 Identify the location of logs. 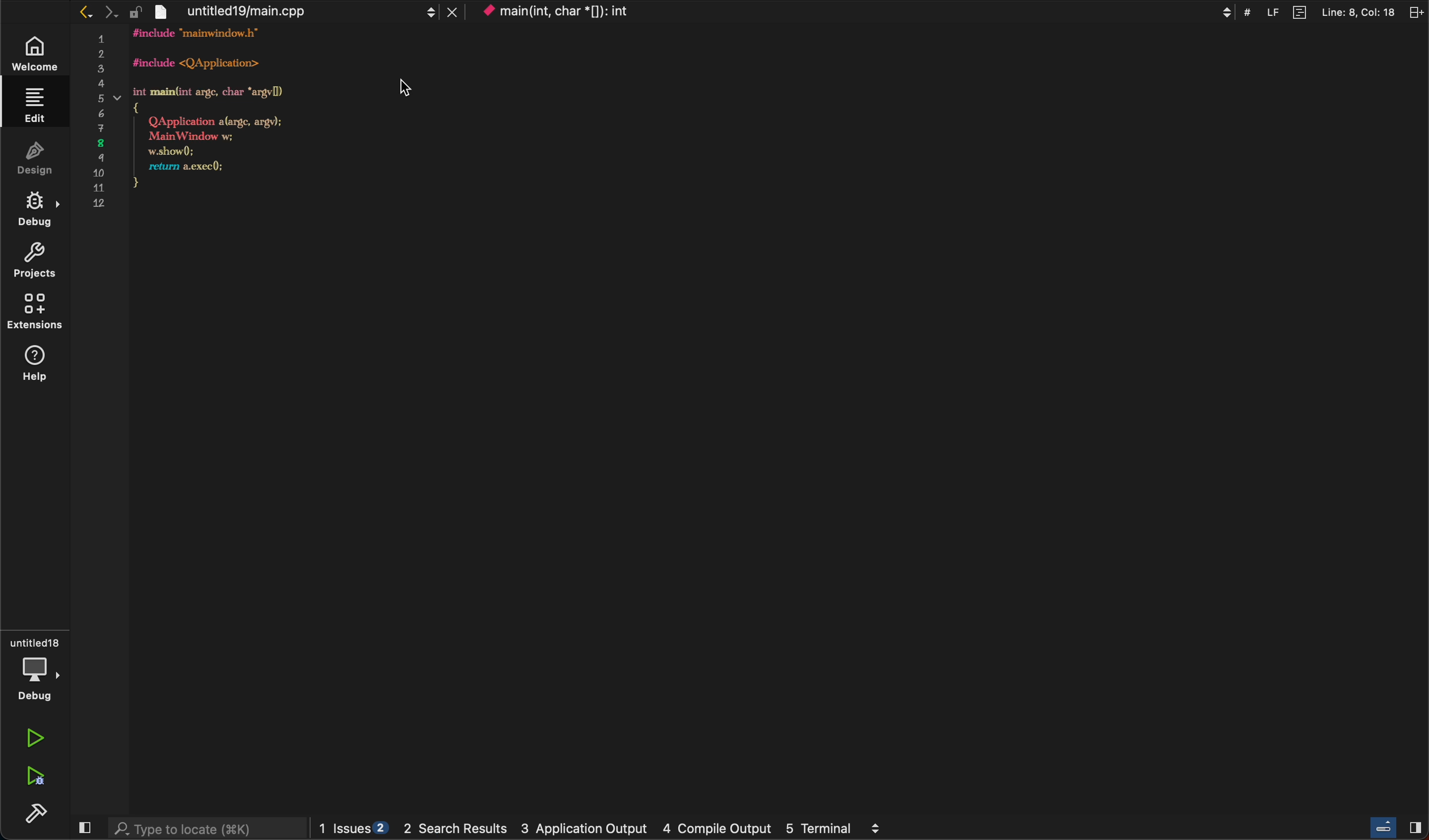
(605, 828).